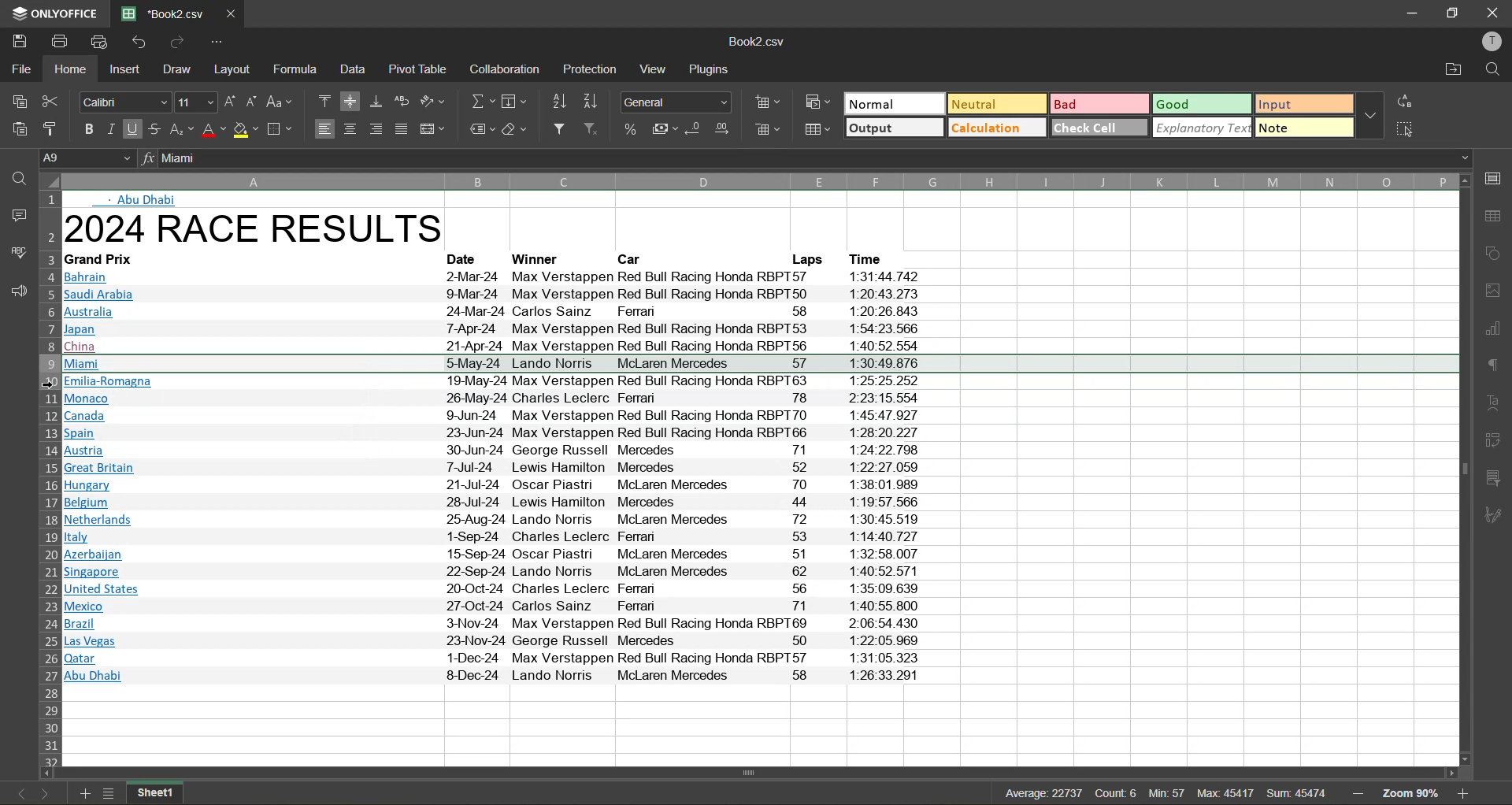 Image resolution: width=1512 pixels, height=805 pixels. Describe the element at coordinates (1451, 72) in the screenshot. I see `open location` at that location.